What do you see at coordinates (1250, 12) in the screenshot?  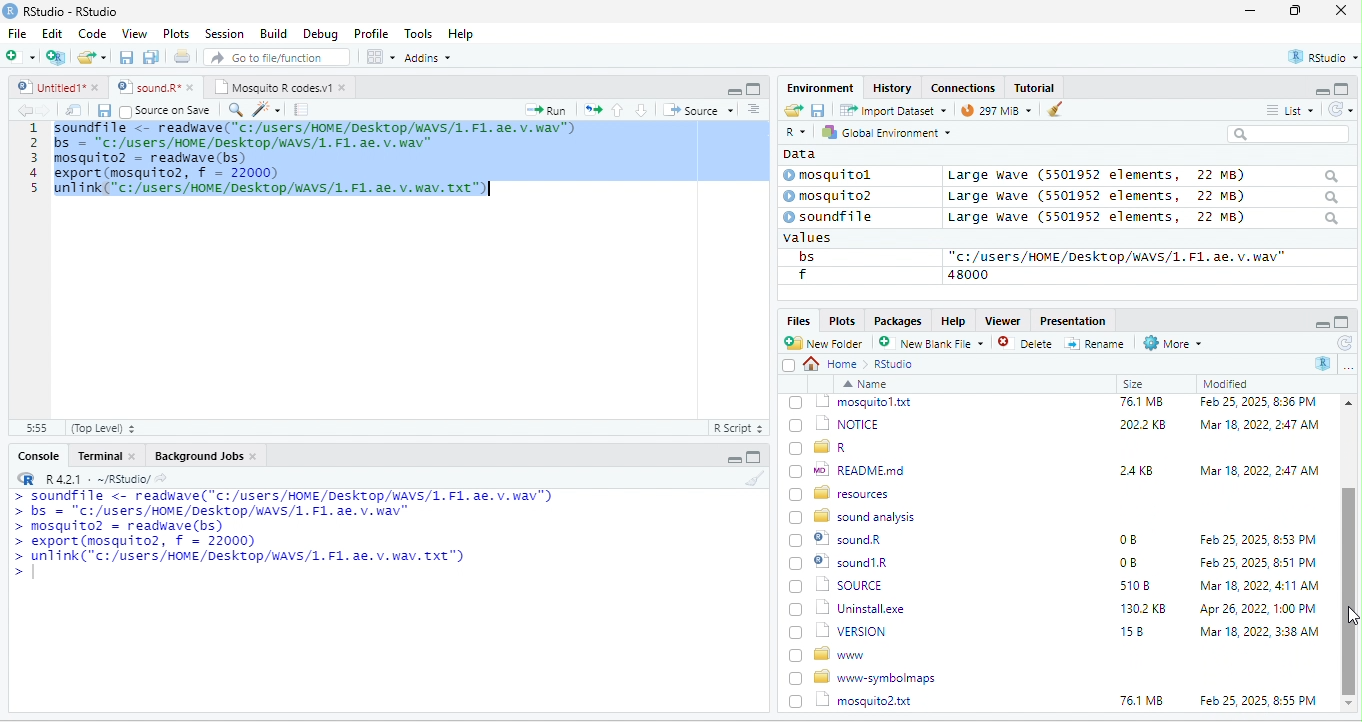 I see `minimize` at bounding box center [1250, 12].